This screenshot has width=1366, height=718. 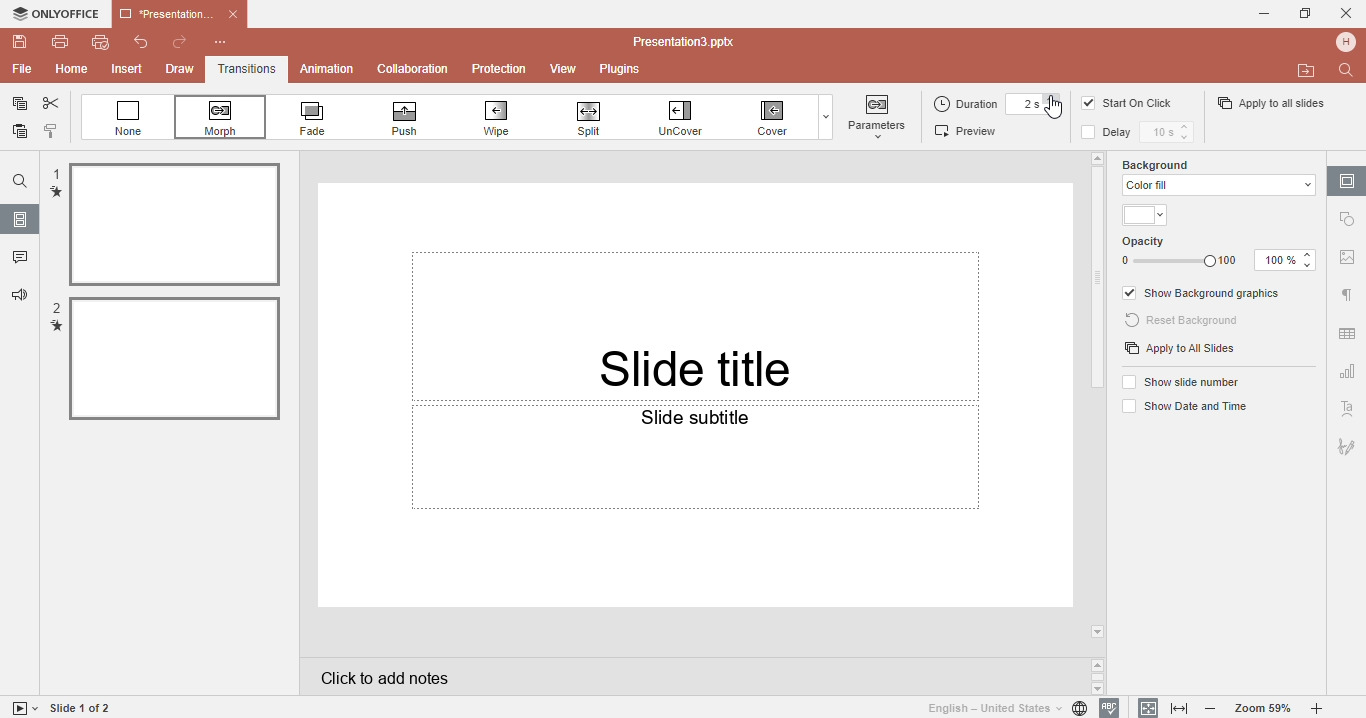 I want to click on Delay, so click(x=1112, y=132).